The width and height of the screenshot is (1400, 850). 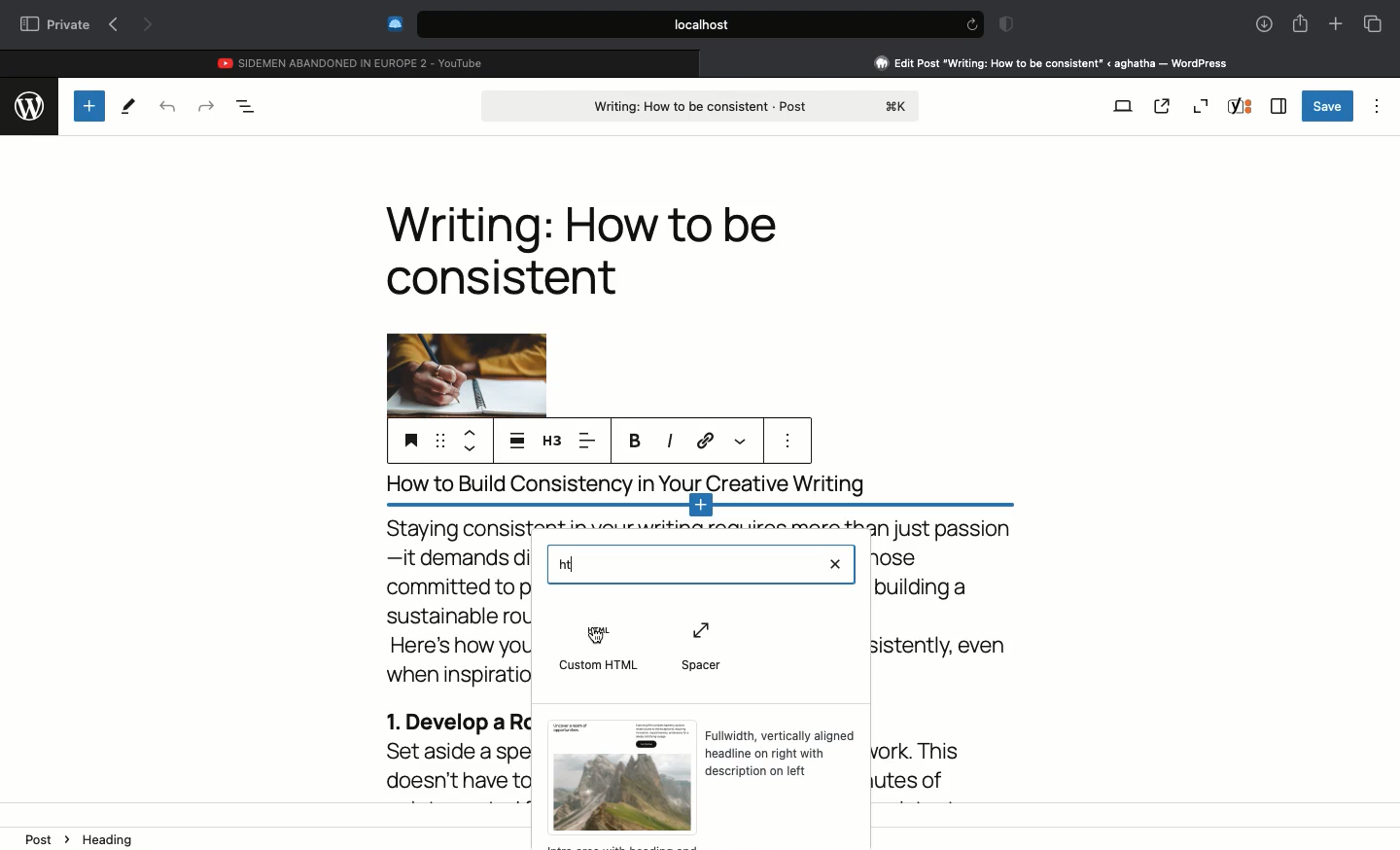 What do you see at coordinates (1379, 103) in the screenshot?
I see `Options` at bounding box center [1379, 103].